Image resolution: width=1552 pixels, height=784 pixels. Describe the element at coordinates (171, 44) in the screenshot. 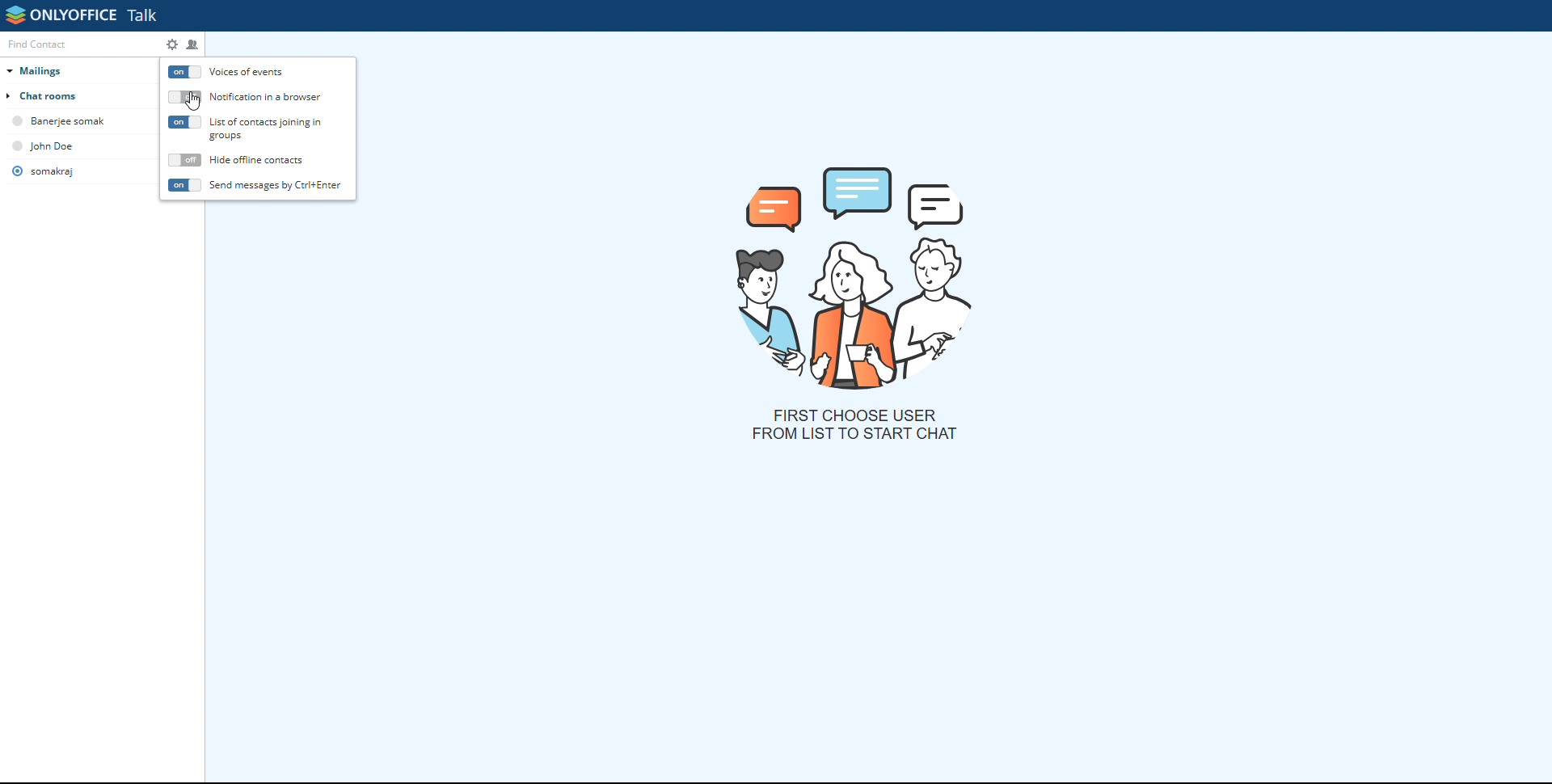

I see `settings` at that location.